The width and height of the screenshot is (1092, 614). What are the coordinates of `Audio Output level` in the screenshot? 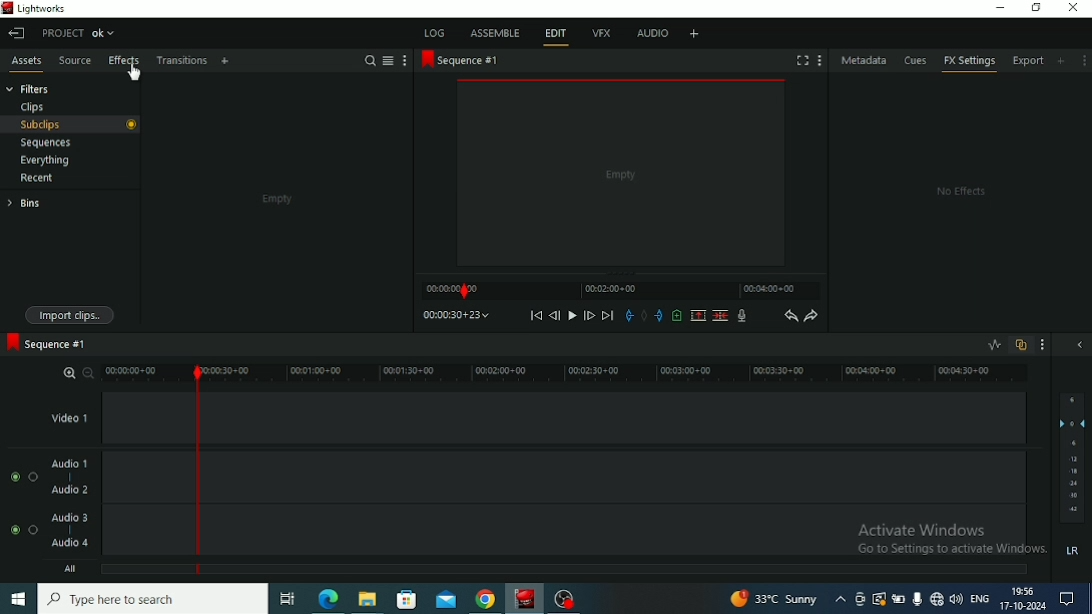 It's located at (1071, 478).